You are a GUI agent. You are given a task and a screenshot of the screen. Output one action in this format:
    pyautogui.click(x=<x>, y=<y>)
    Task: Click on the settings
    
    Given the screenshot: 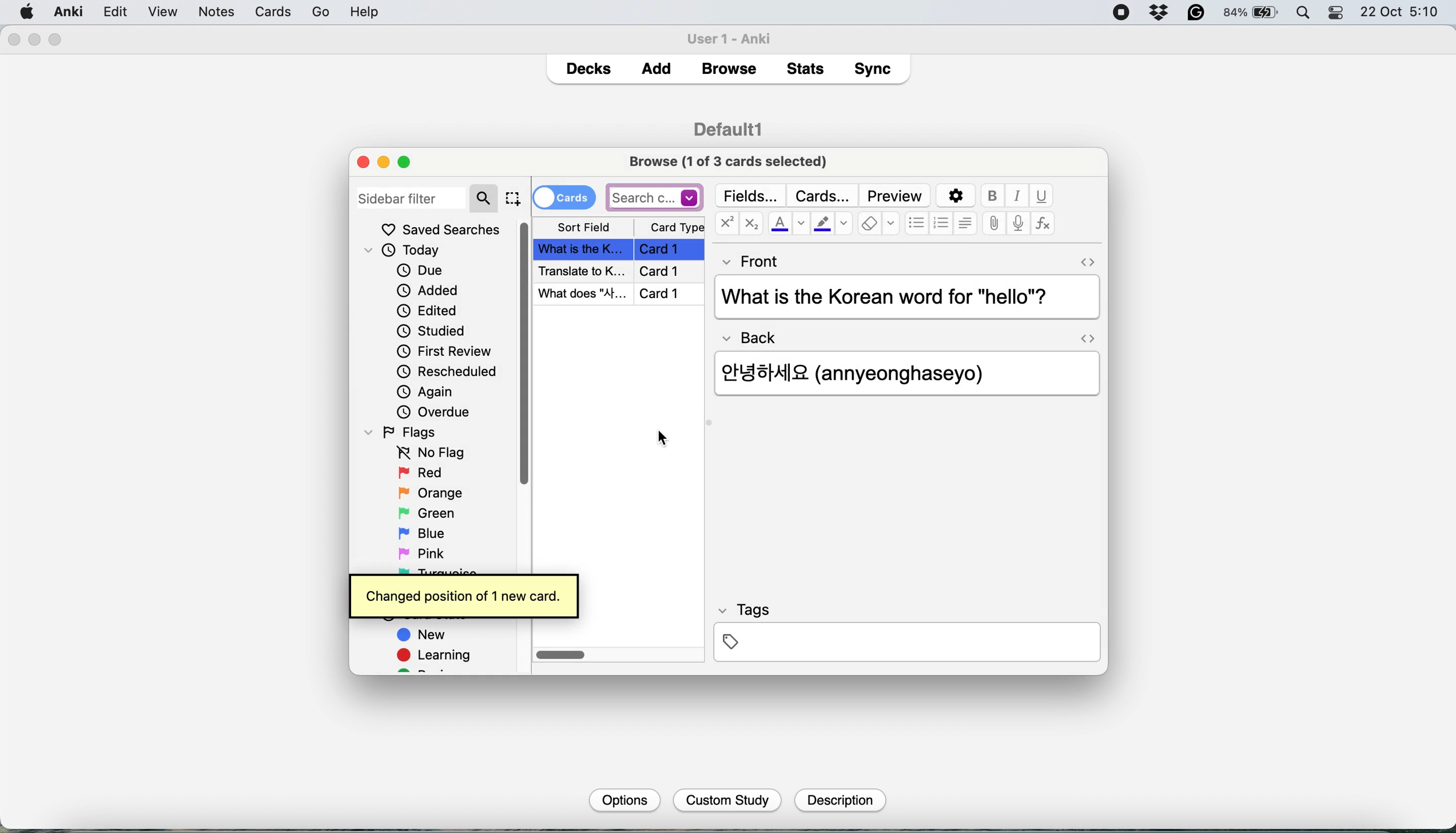 What is the action you would take?
    pyautogui.click(x=954, y=196)
    